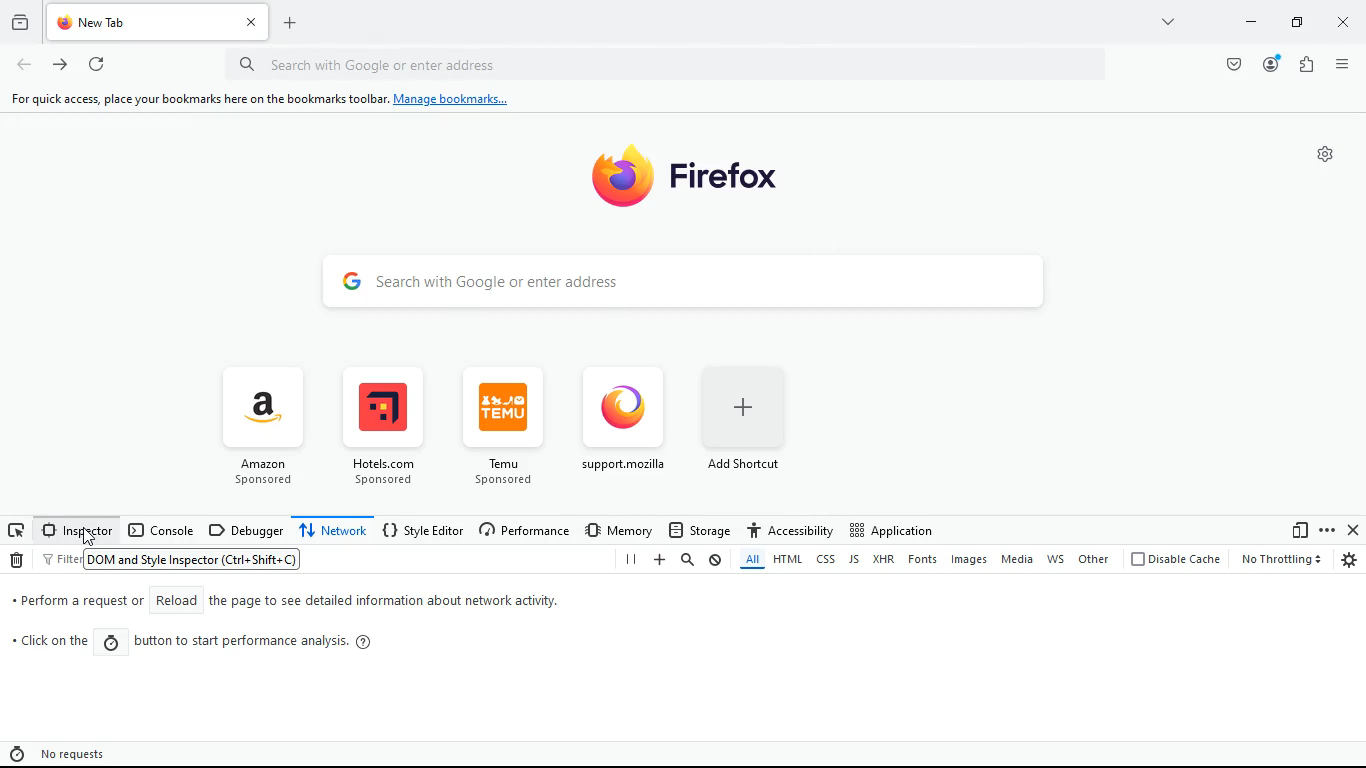 This screenshot has width=1366, height=768. I want to click on css, so click(826, 560).